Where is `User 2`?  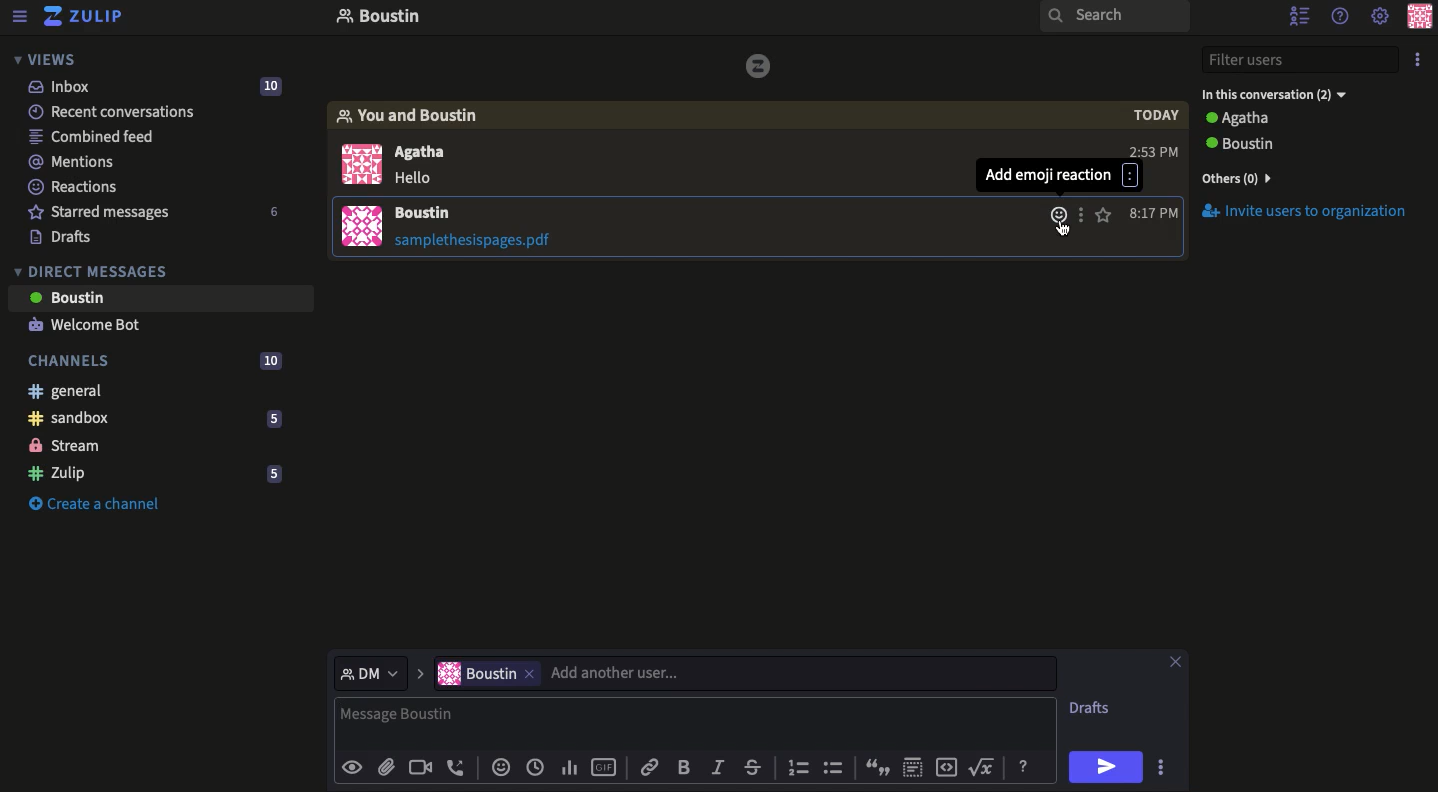 User 2 is located at coordinates (1292, 144).